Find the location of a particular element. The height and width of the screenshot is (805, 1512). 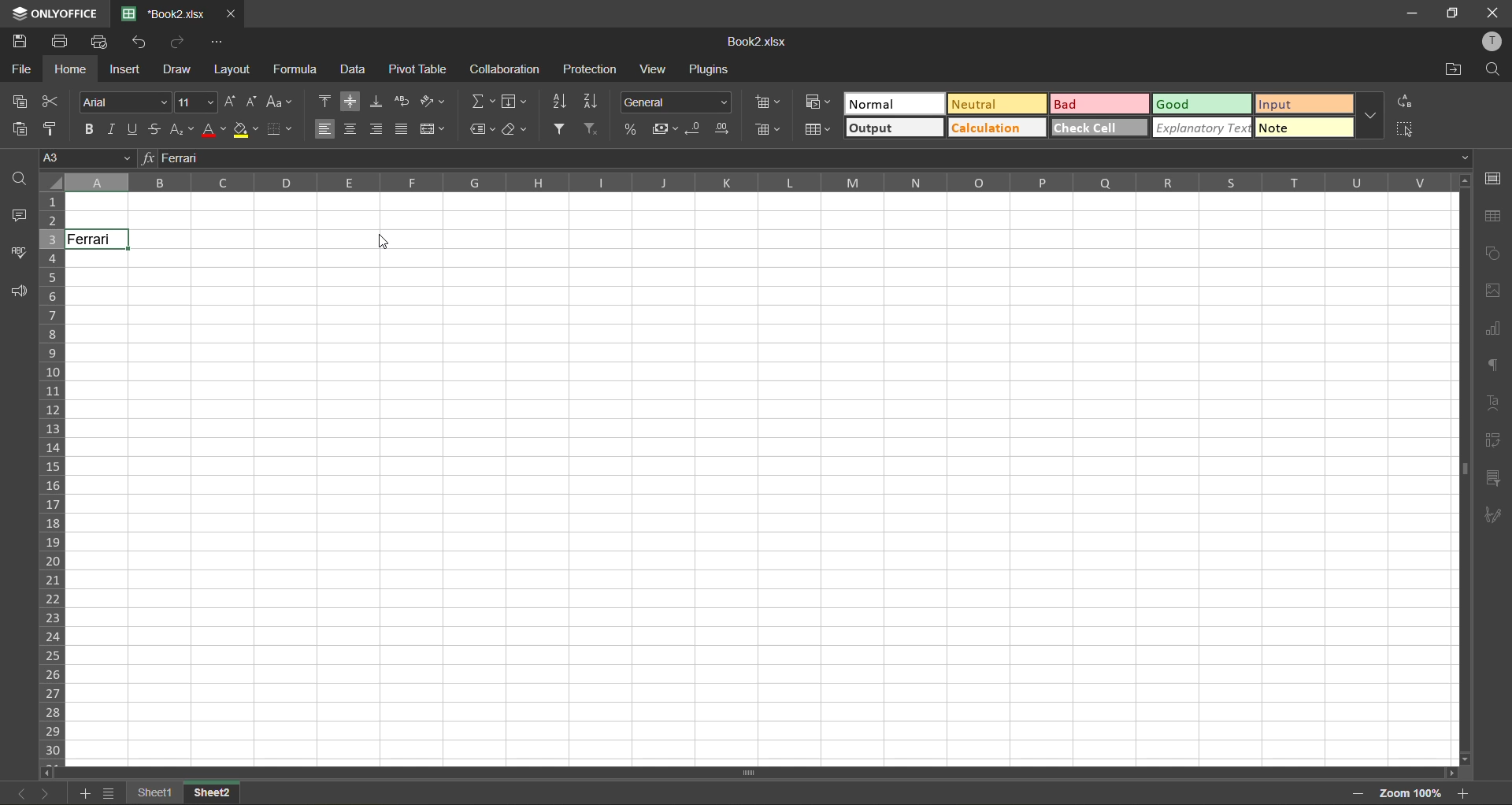

file is located at coordinates (21, 68).